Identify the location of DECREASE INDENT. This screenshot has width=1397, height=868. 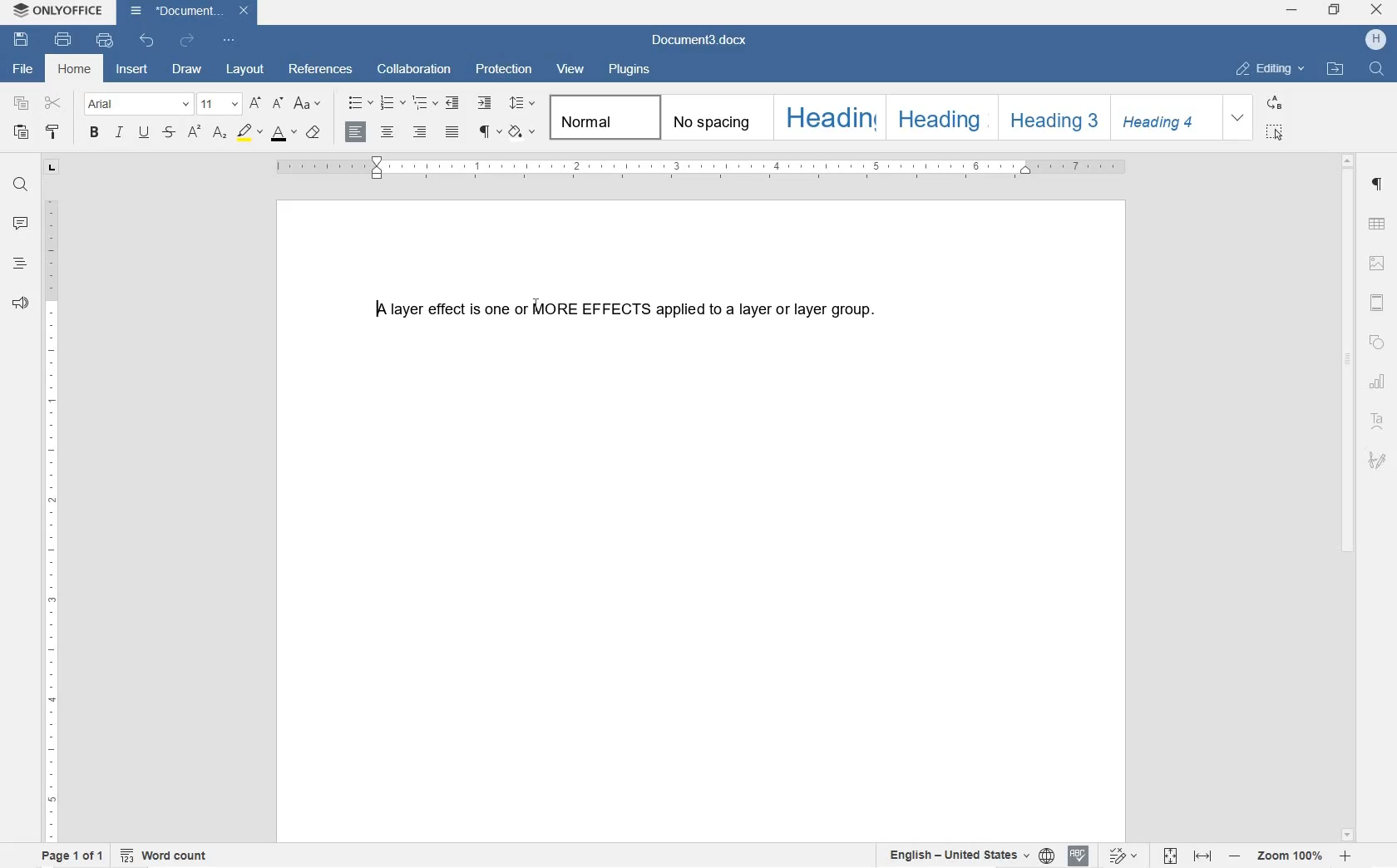
(452, 104).